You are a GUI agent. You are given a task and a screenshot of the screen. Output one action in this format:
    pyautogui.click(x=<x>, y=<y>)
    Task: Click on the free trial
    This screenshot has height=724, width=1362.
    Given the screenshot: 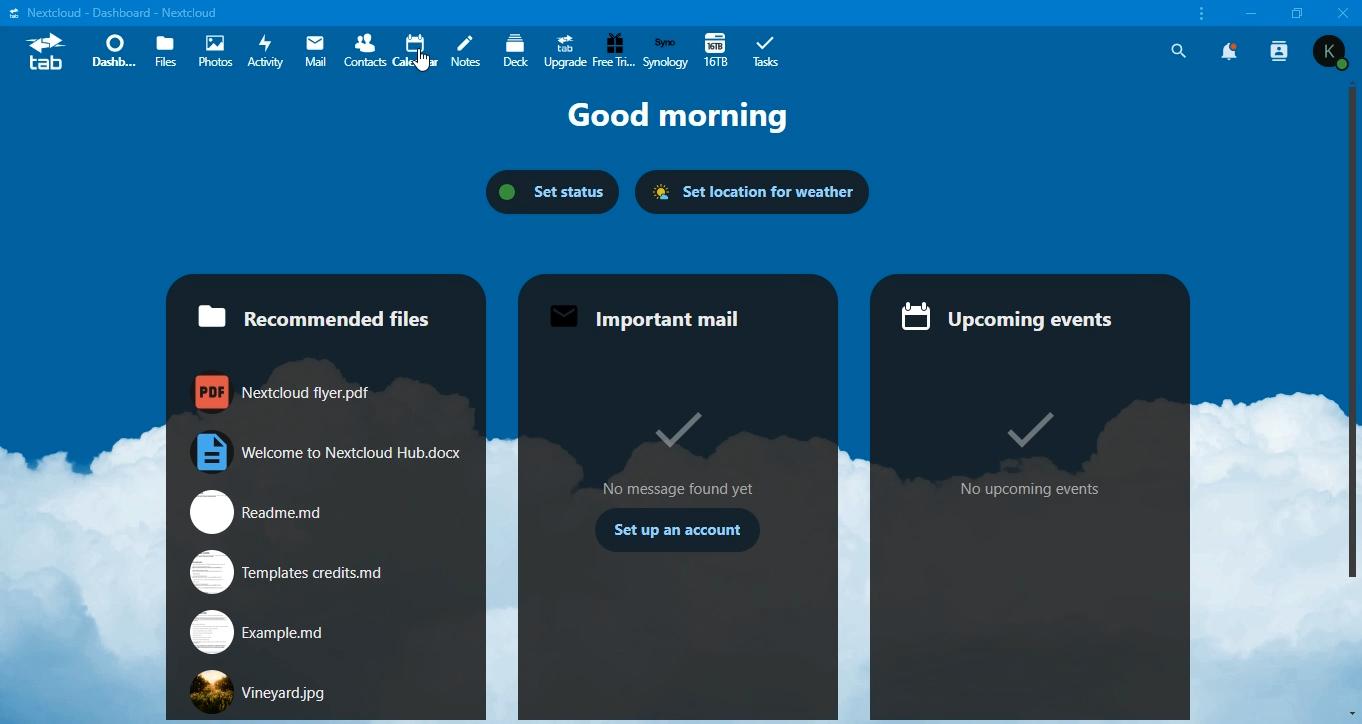 What is the action you would take?
    pyautogui.click(x=615, y=49)
    